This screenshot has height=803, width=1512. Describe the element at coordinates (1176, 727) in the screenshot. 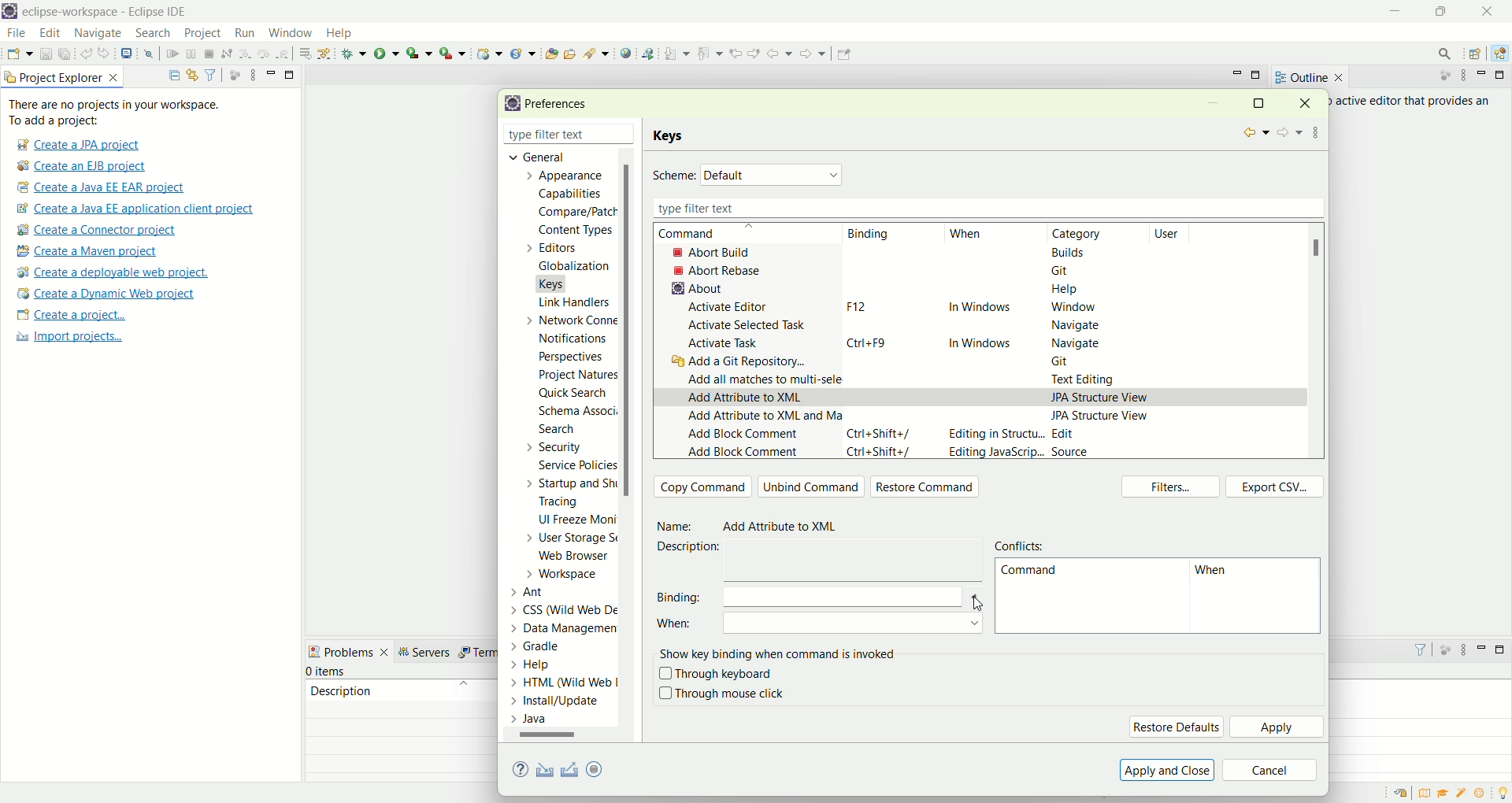

I see `restore default` at that location.